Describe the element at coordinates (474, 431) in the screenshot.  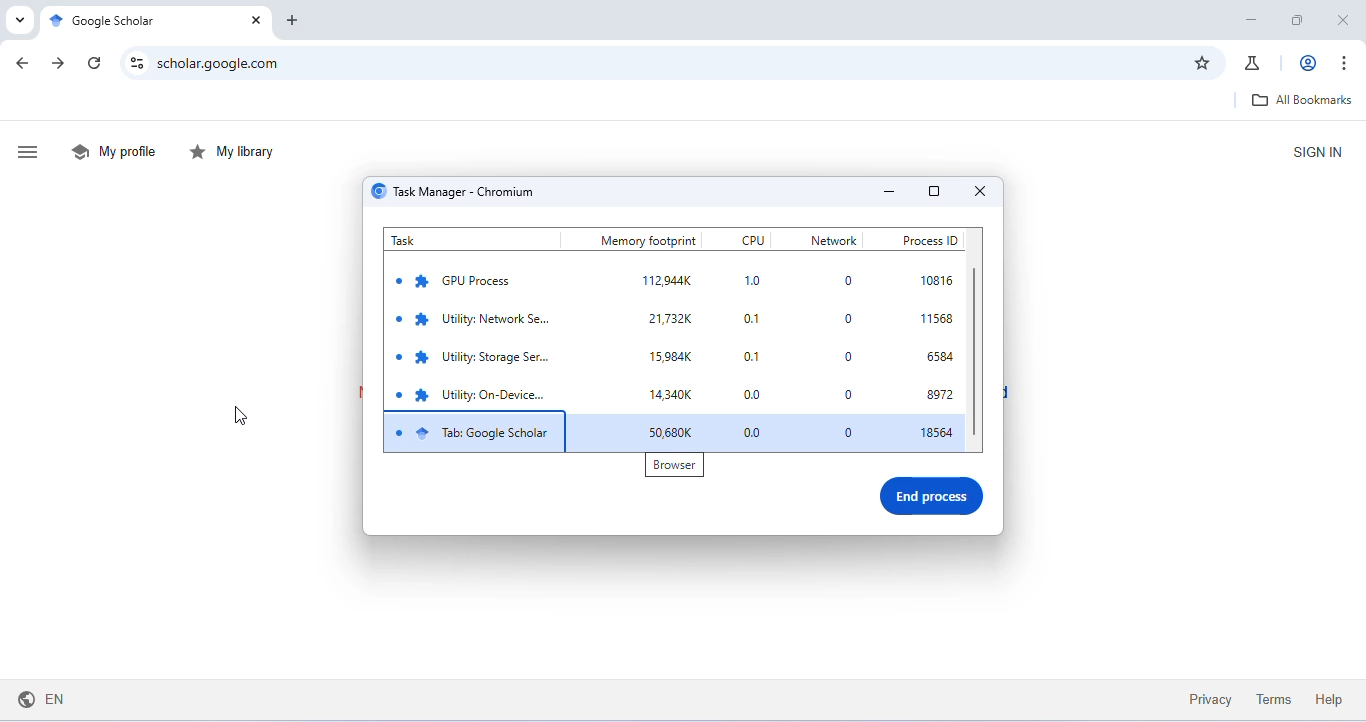
I see `tab google scholar` at that location.